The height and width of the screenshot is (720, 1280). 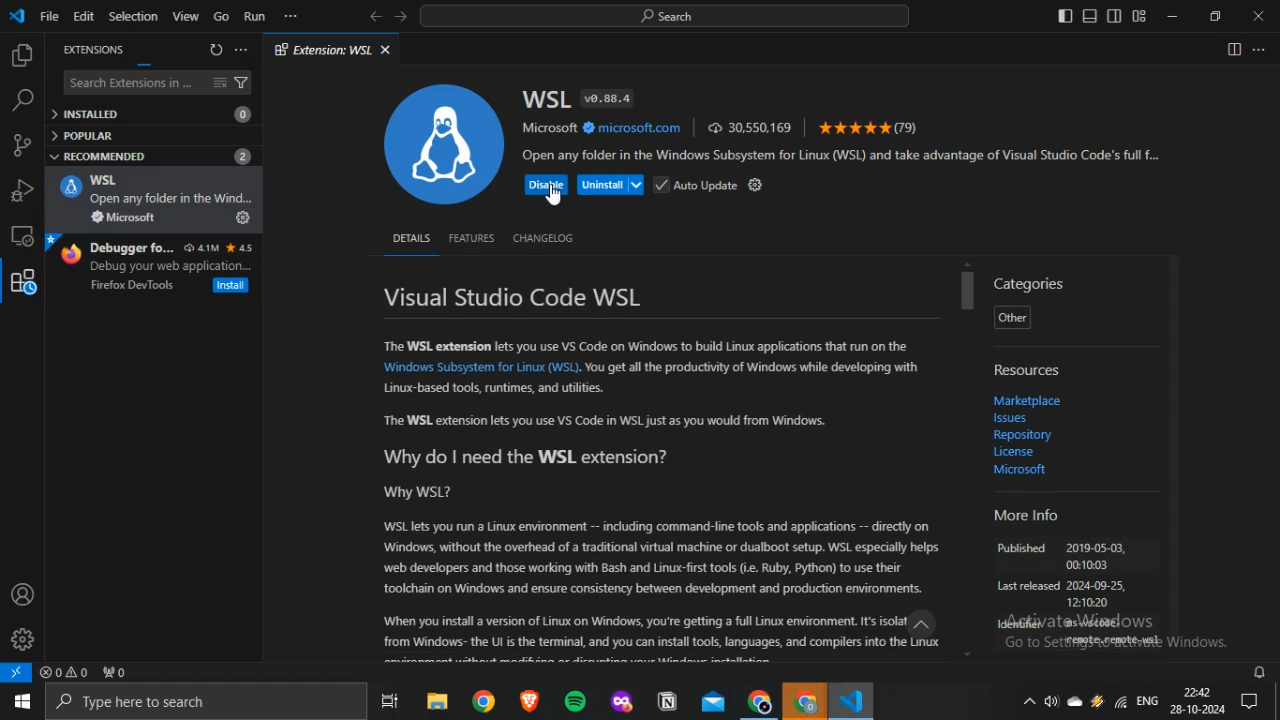 What do you see at coordinates (1021, 436) in the screenshot?
I see `Repository` at bounding box center [1021, 436].